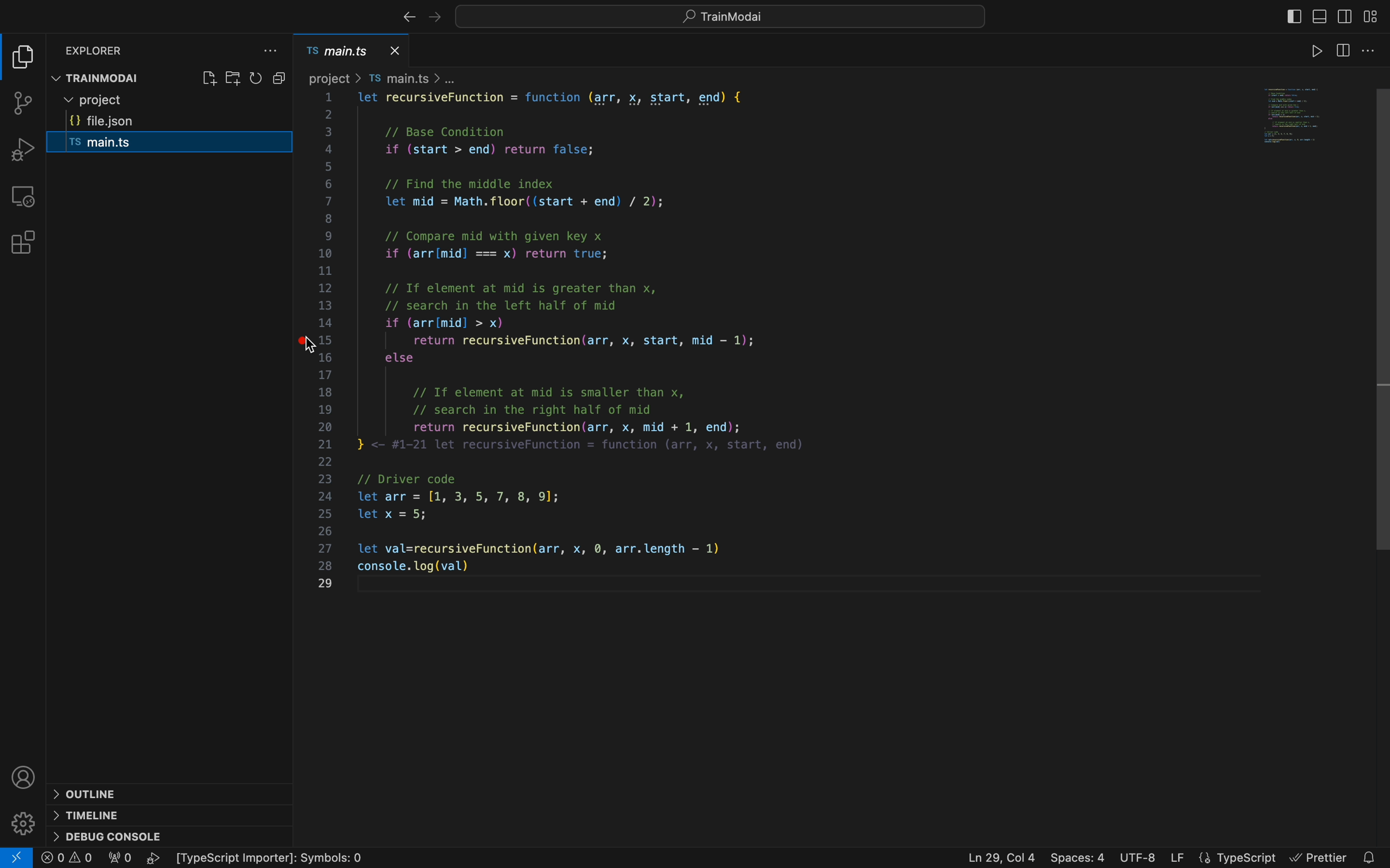  I want to click on Prettier, so click(1322, 852).